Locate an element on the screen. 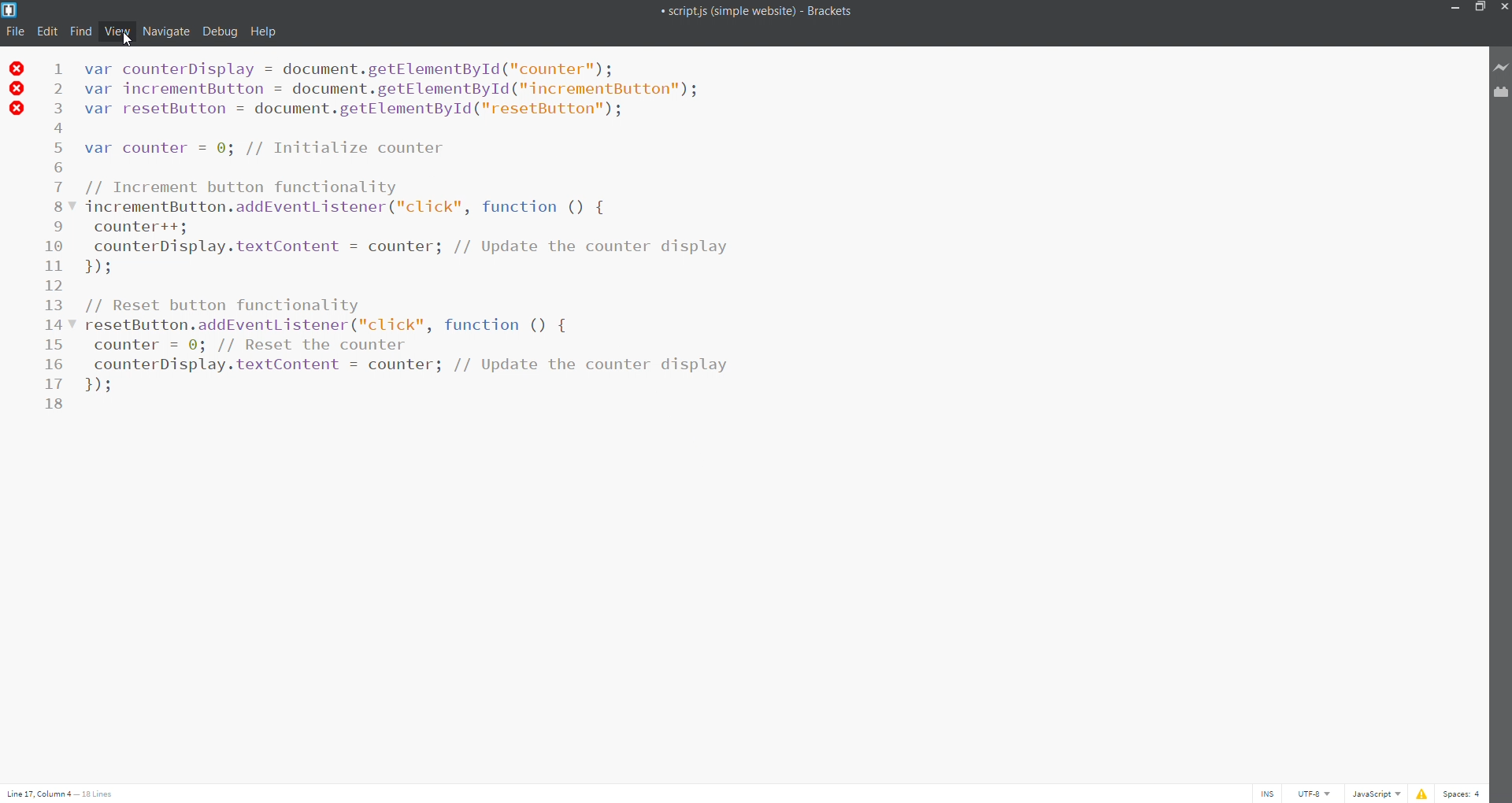 This screenshot has width=1512, height=803. minimize is located at coordinates (1458, 9).